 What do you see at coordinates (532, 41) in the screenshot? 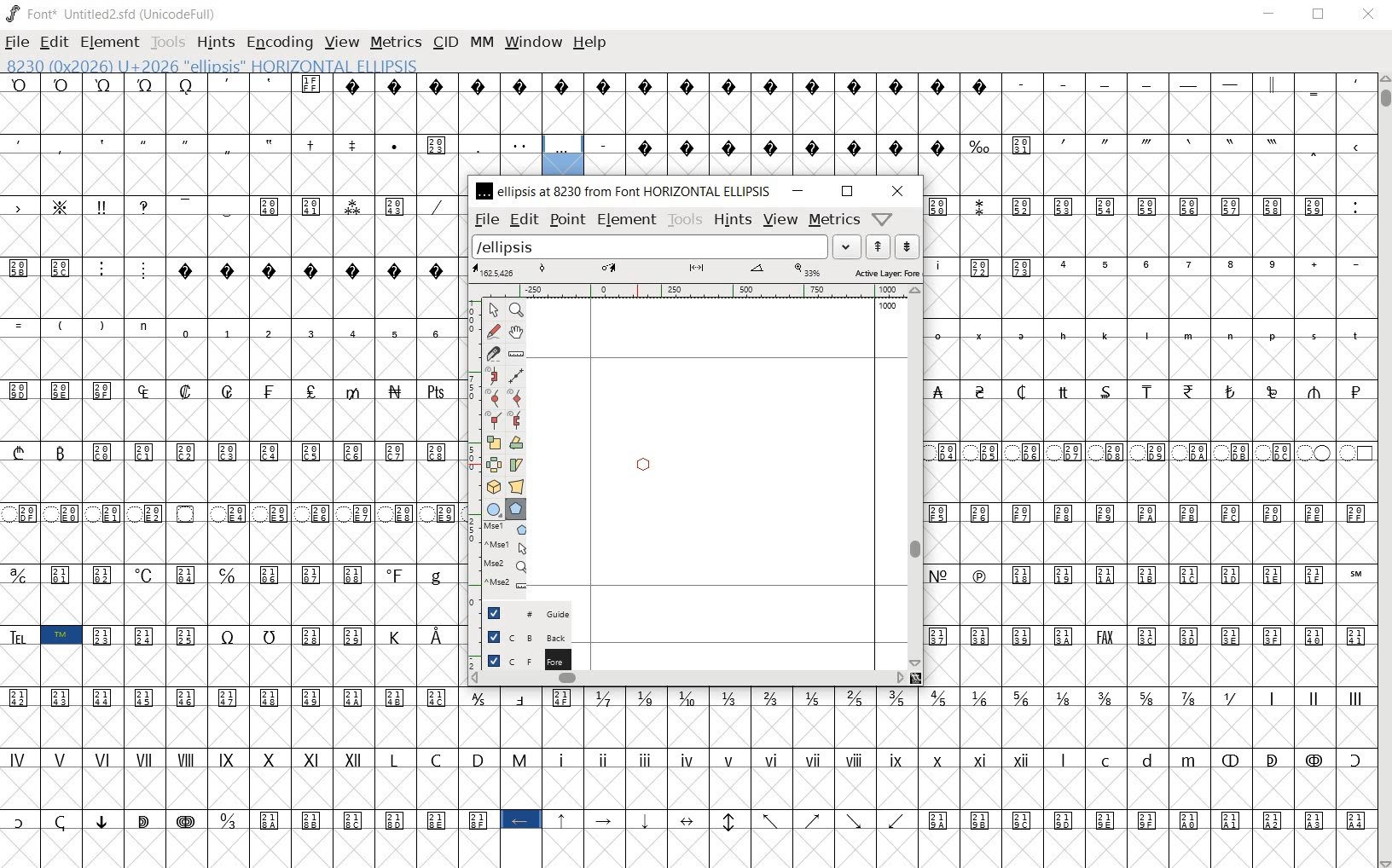
I see `WINDOW` at bounding box center [532, 41].